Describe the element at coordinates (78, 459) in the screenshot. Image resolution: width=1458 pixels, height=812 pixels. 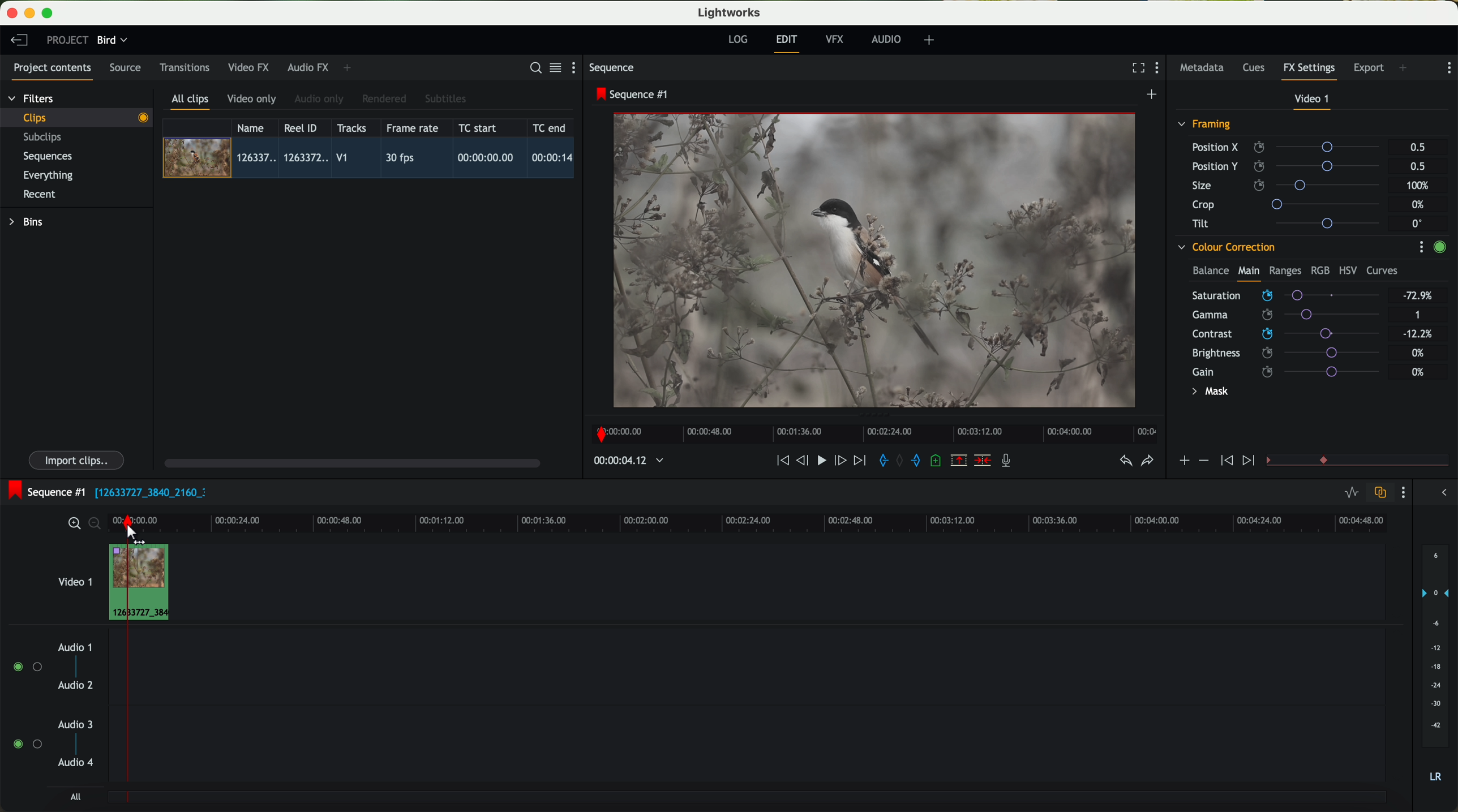
I see `import clips` at that location.